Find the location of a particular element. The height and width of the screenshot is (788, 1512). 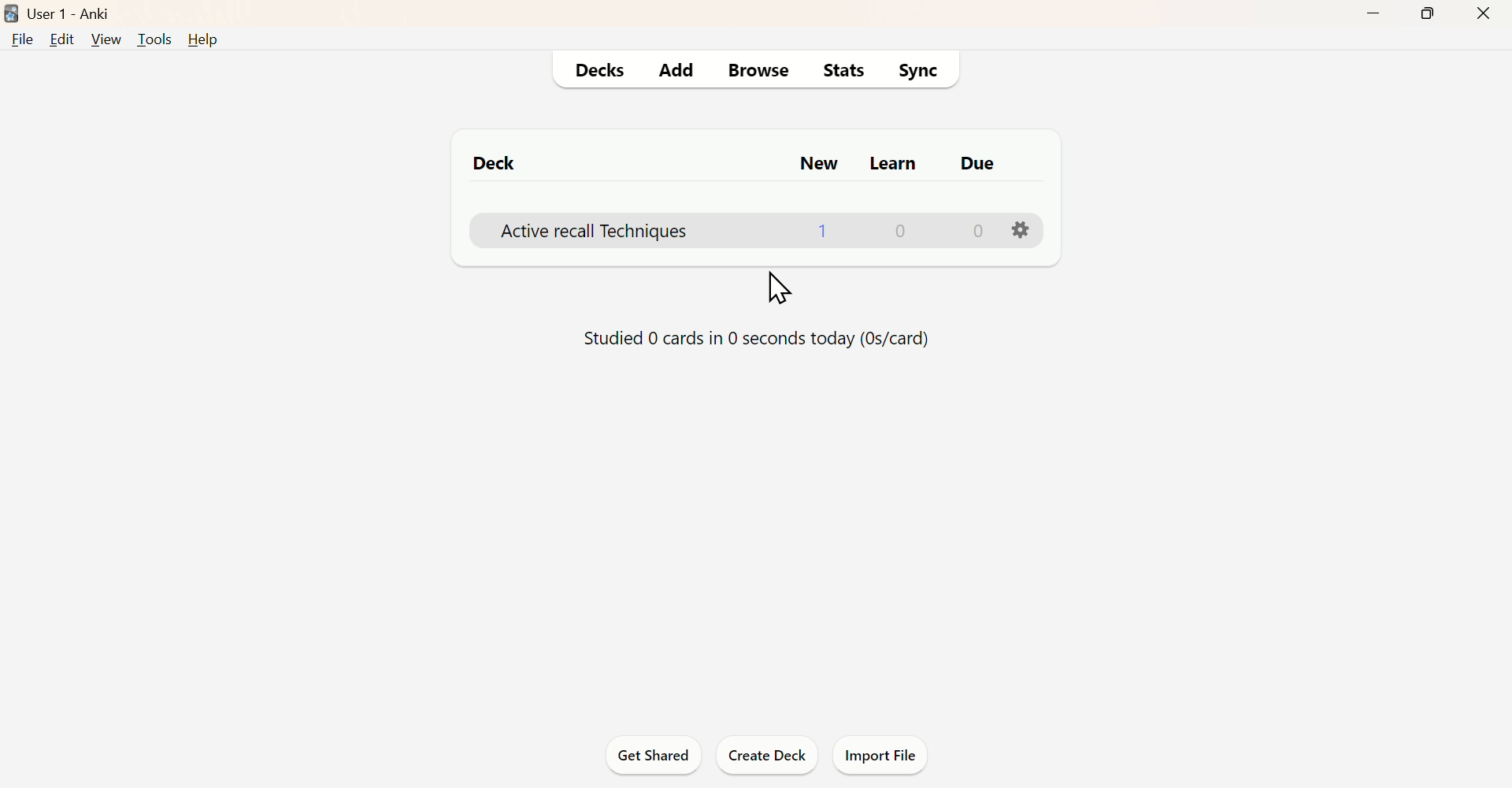

Help is located at coordinates (204, 41).